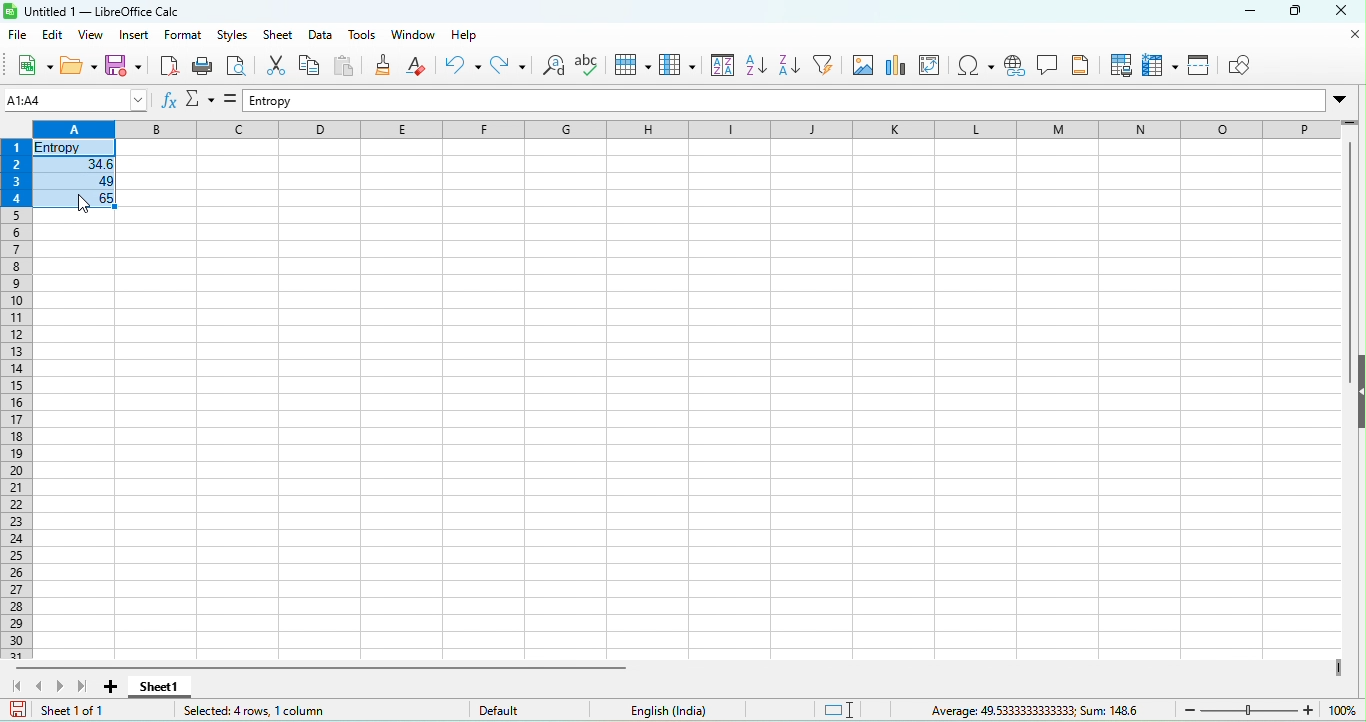 The height and width of the screenshot is (722, 1366). Describe the element at coordinates (1248, 13) in the screenshot. I see `minimize` at that location.